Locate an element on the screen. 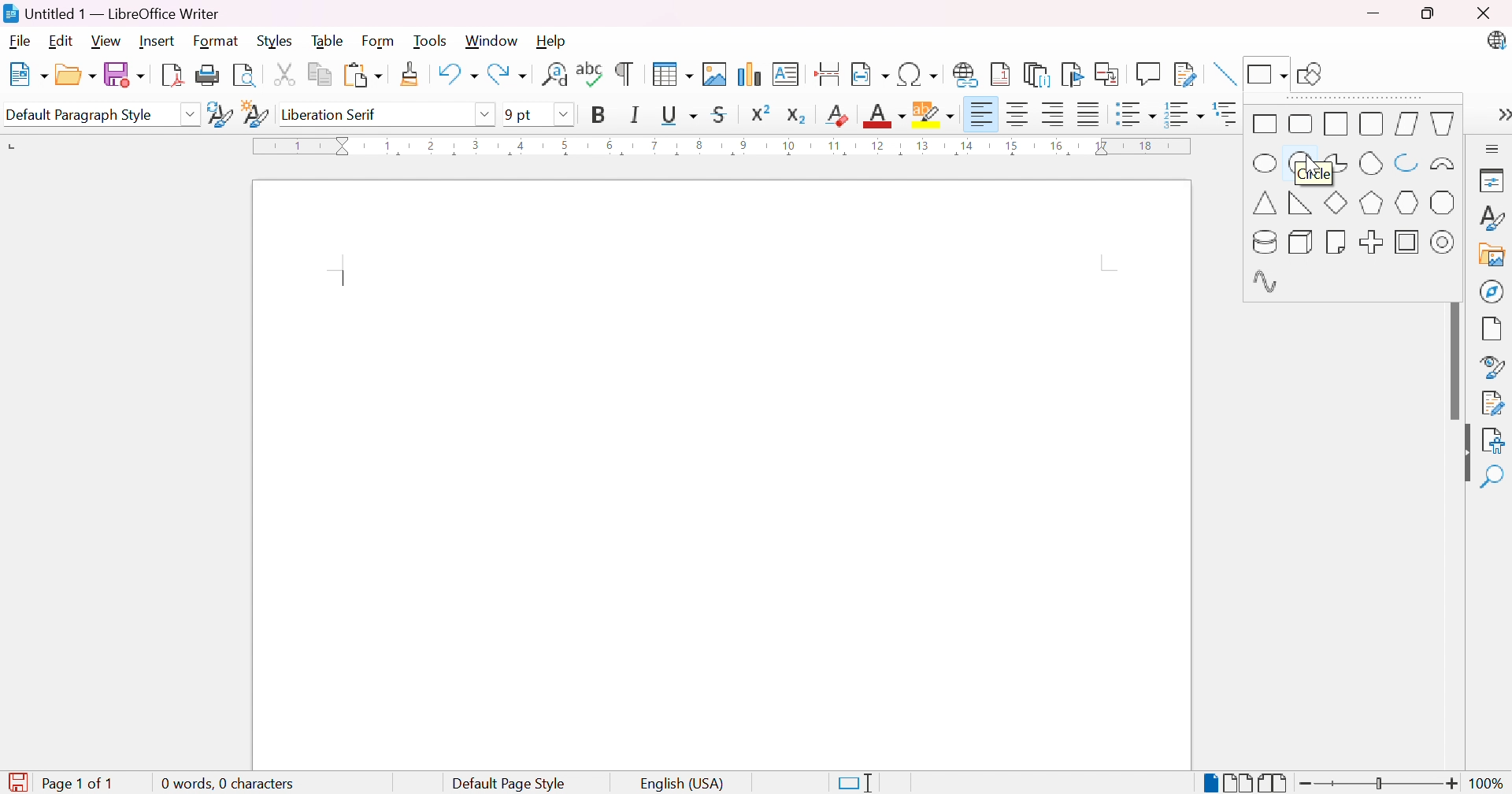 The image size is (1512, 794). Copy is located at coordinates (321, 76).